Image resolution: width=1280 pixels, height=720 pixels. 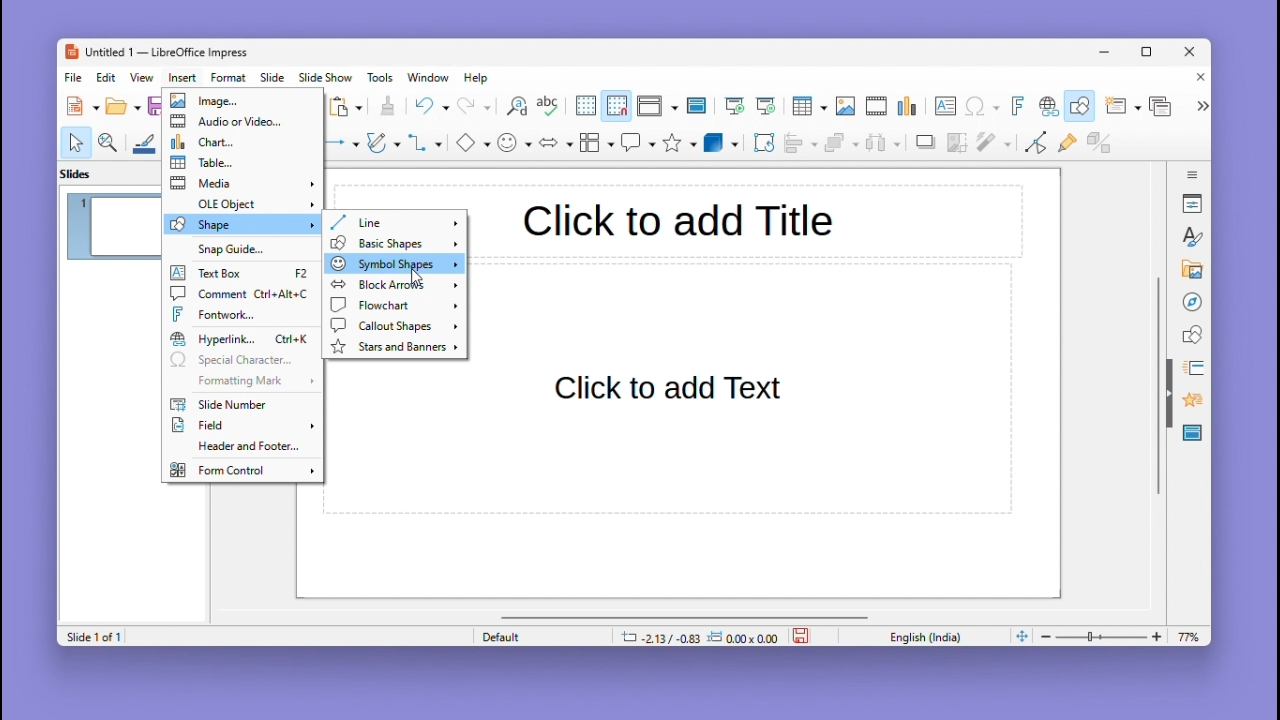 What do you see at coordinates (809, 107) in the screenshot?
I see `Table` at bounding box center [809, 107].